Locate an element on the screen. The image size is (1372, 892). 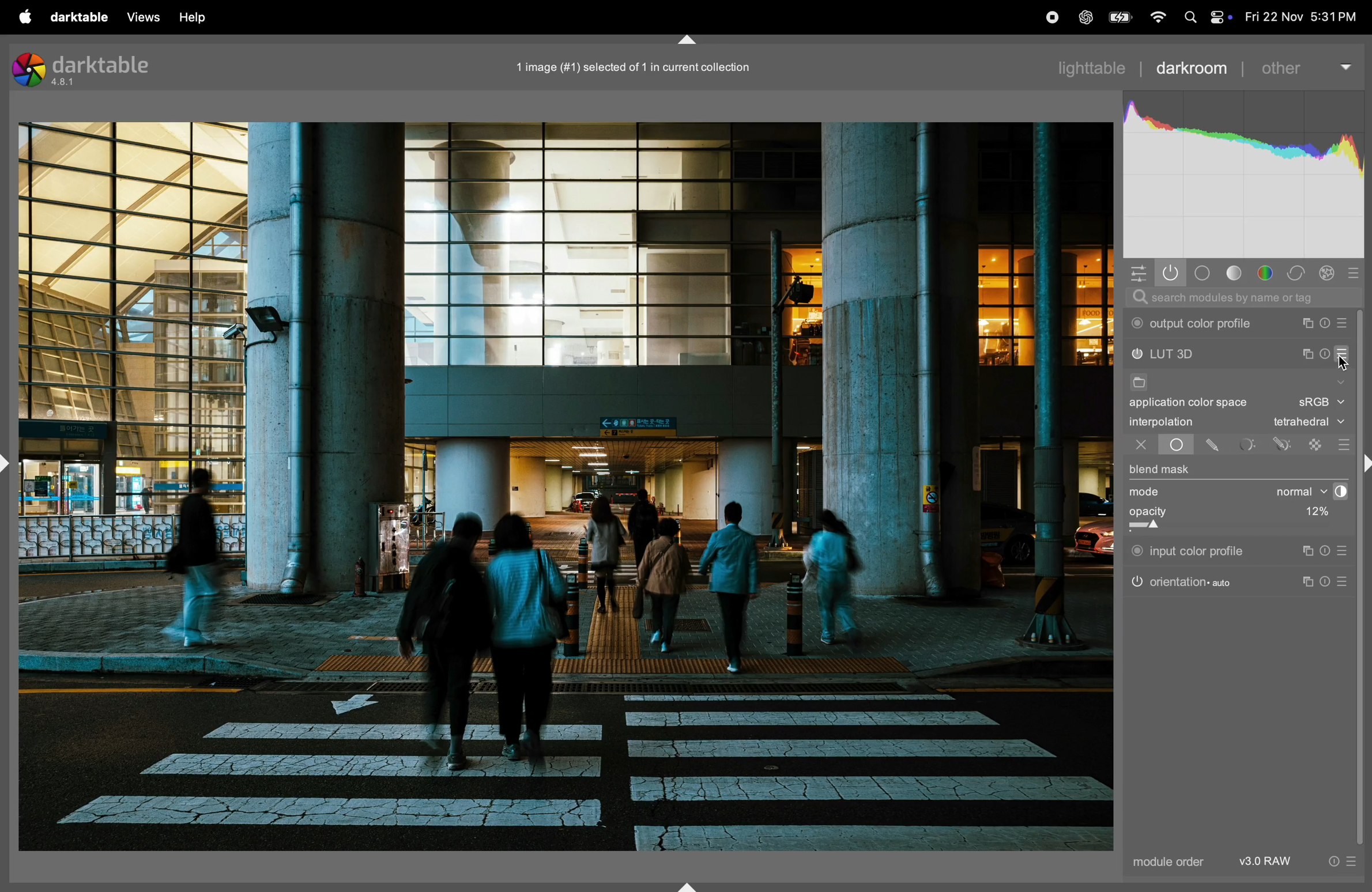
apple widgets is located at coordinates (1219, 17).